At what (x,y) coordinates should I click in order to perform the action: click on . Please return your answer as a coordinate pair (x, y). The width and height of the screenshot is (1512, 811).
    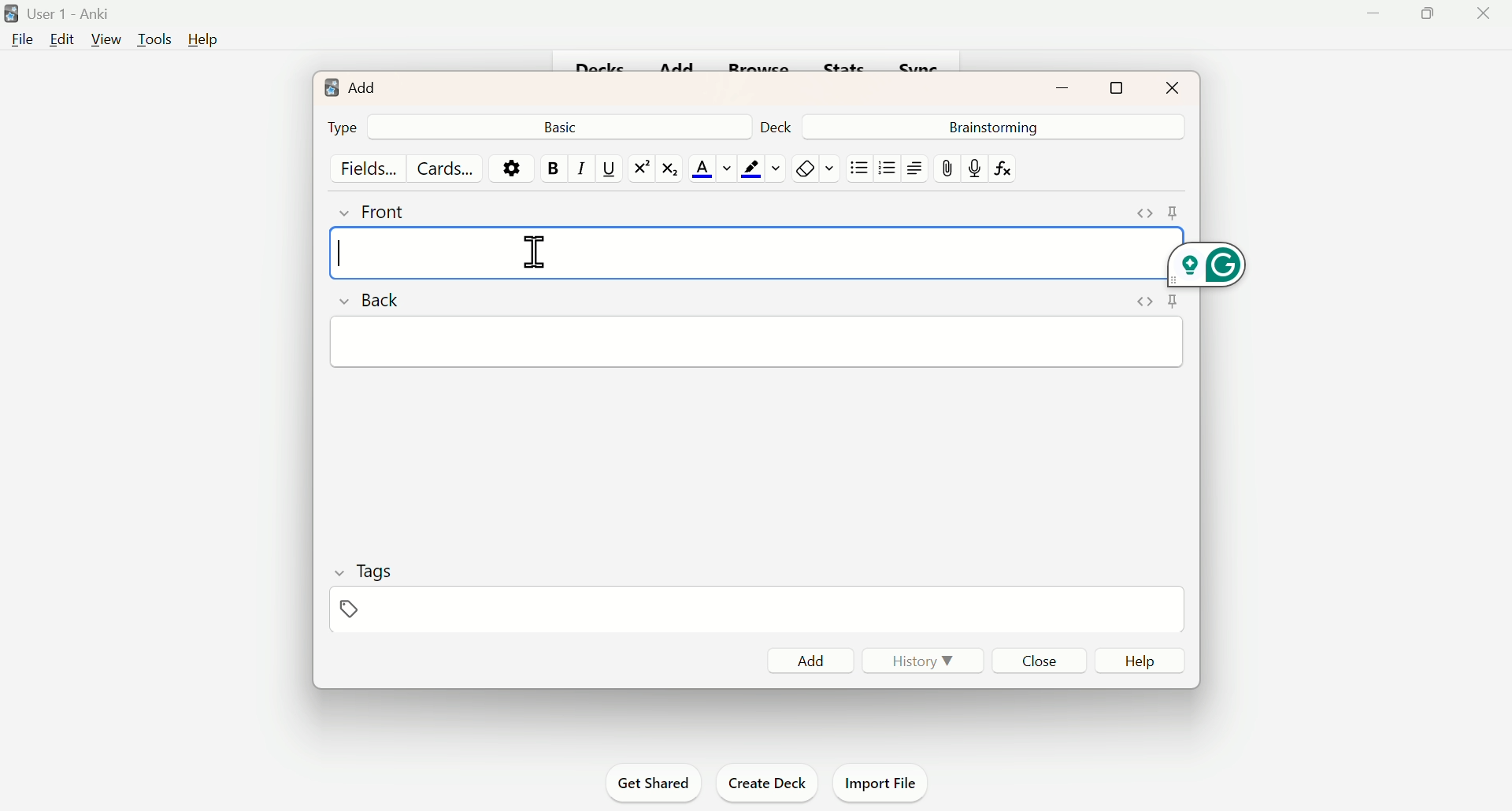
    Looking at the image, I should click on (24, 39).